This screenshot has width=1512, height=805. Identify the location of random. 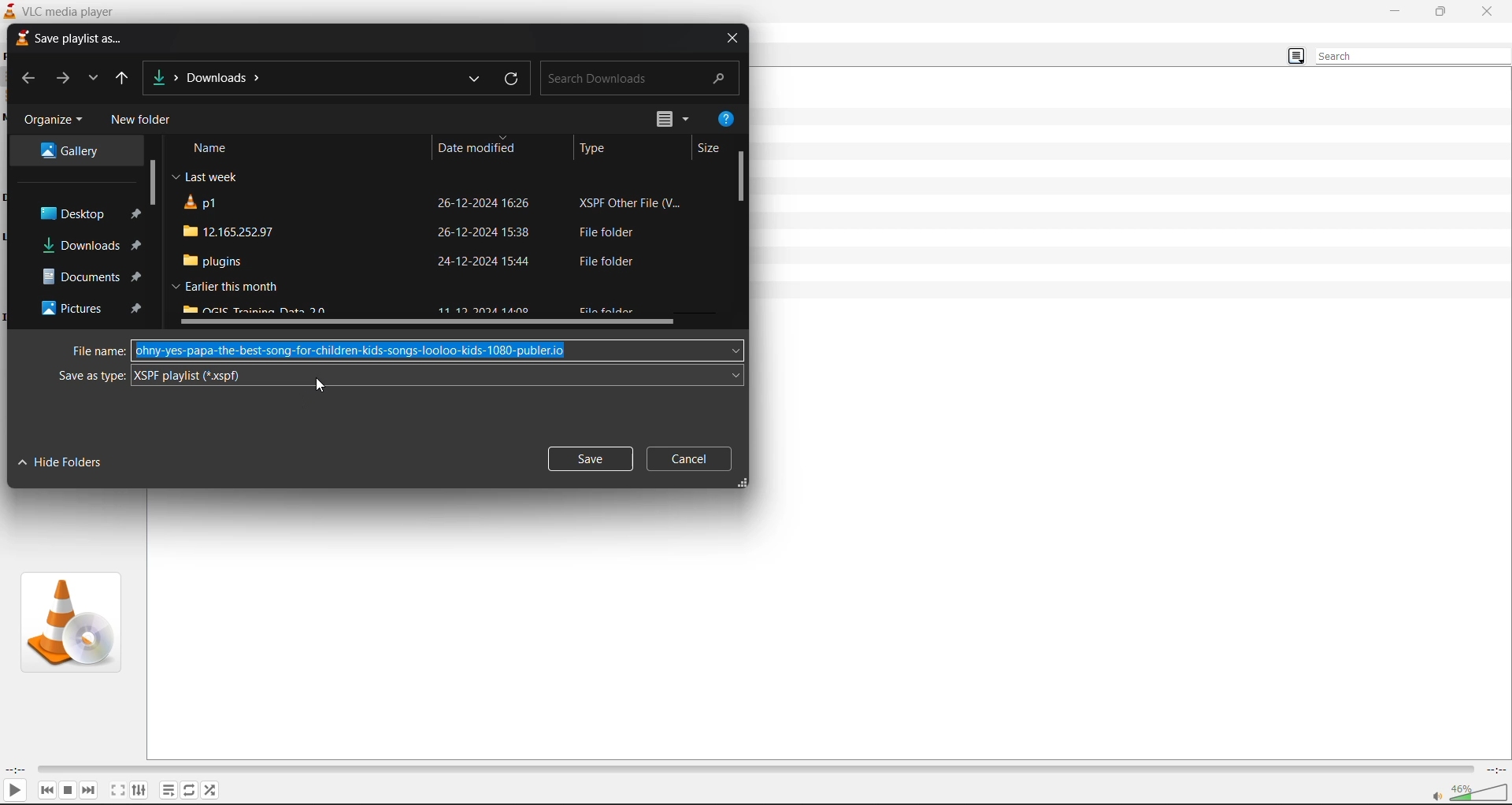
(214, 792).